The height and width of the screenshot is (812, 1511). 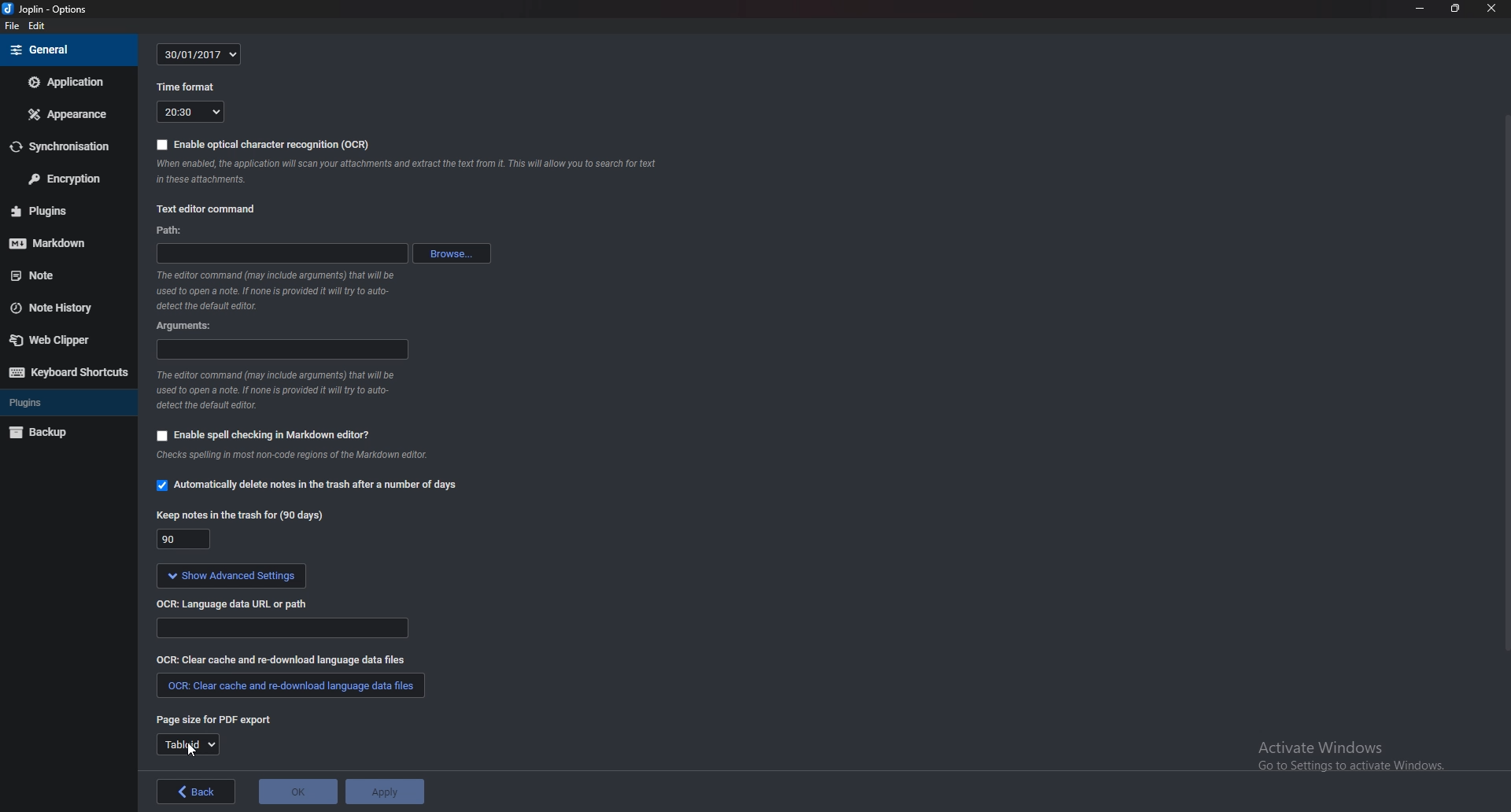 I want to click on note, so click(x=408, y=173).